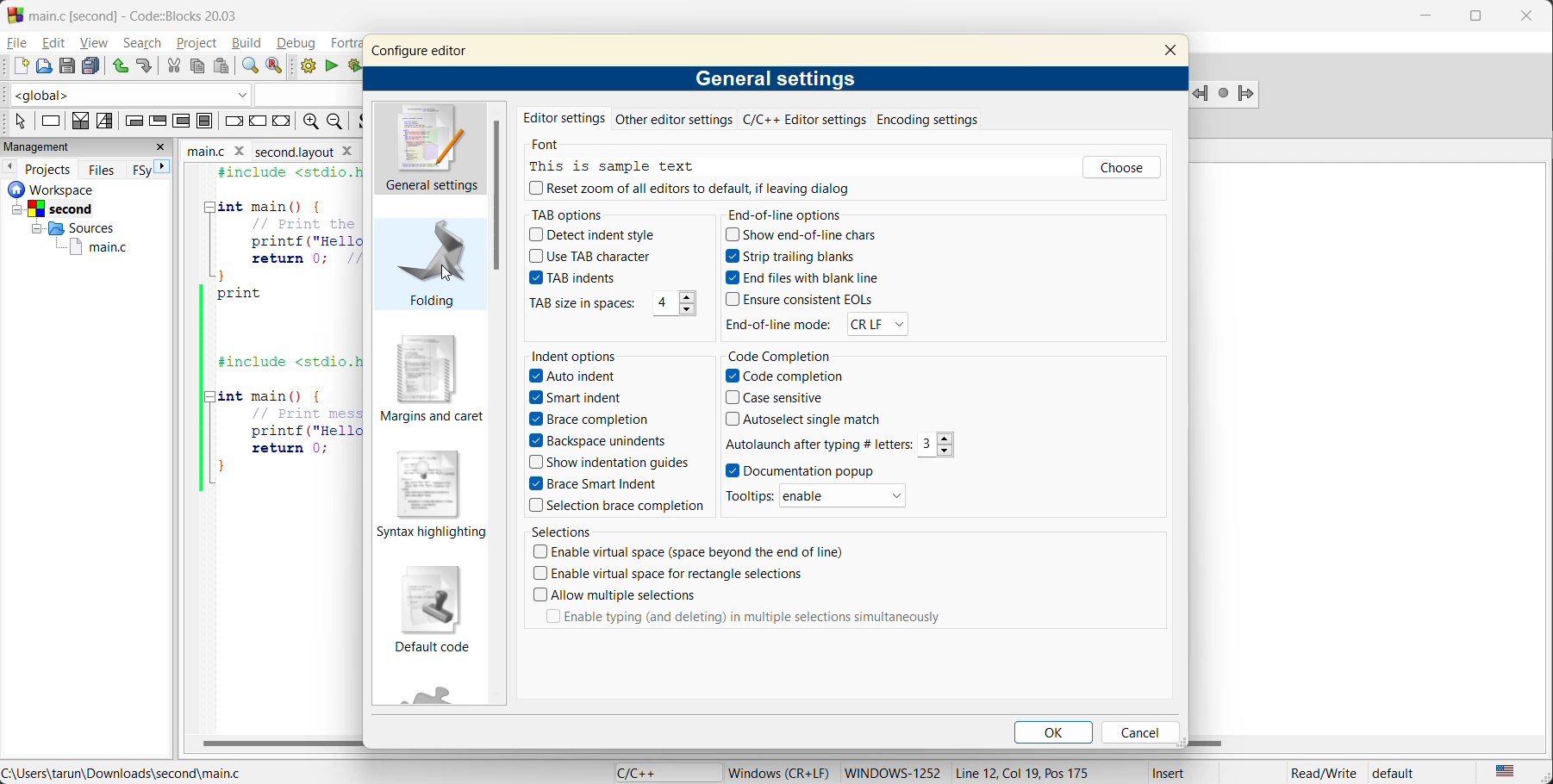  Describe the element at coordinates (146, 43) in the screenshot. I see `search` at that location.